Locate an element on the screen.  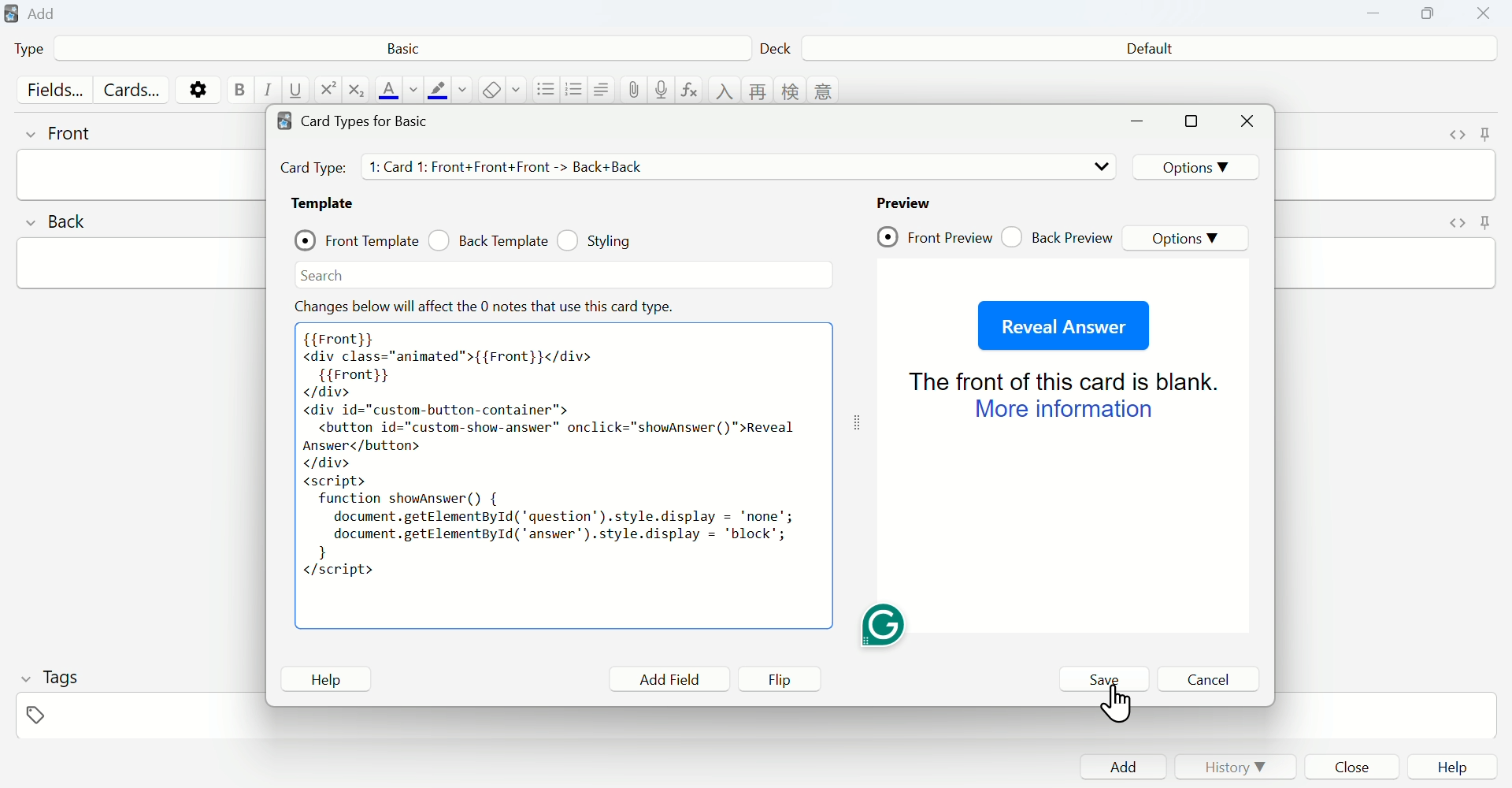
Template is located at coordinates (327, 204).